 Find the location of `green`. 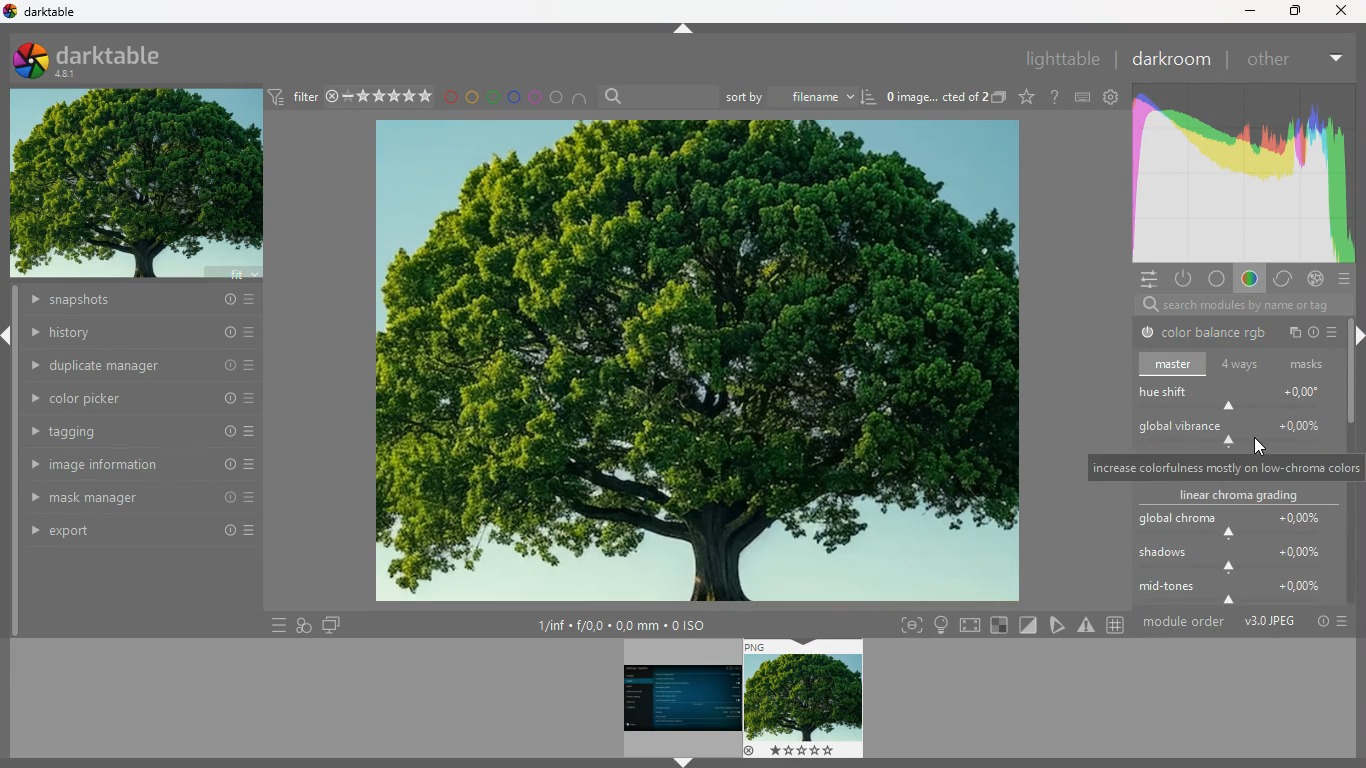

green is located at coordinates (493, 97).